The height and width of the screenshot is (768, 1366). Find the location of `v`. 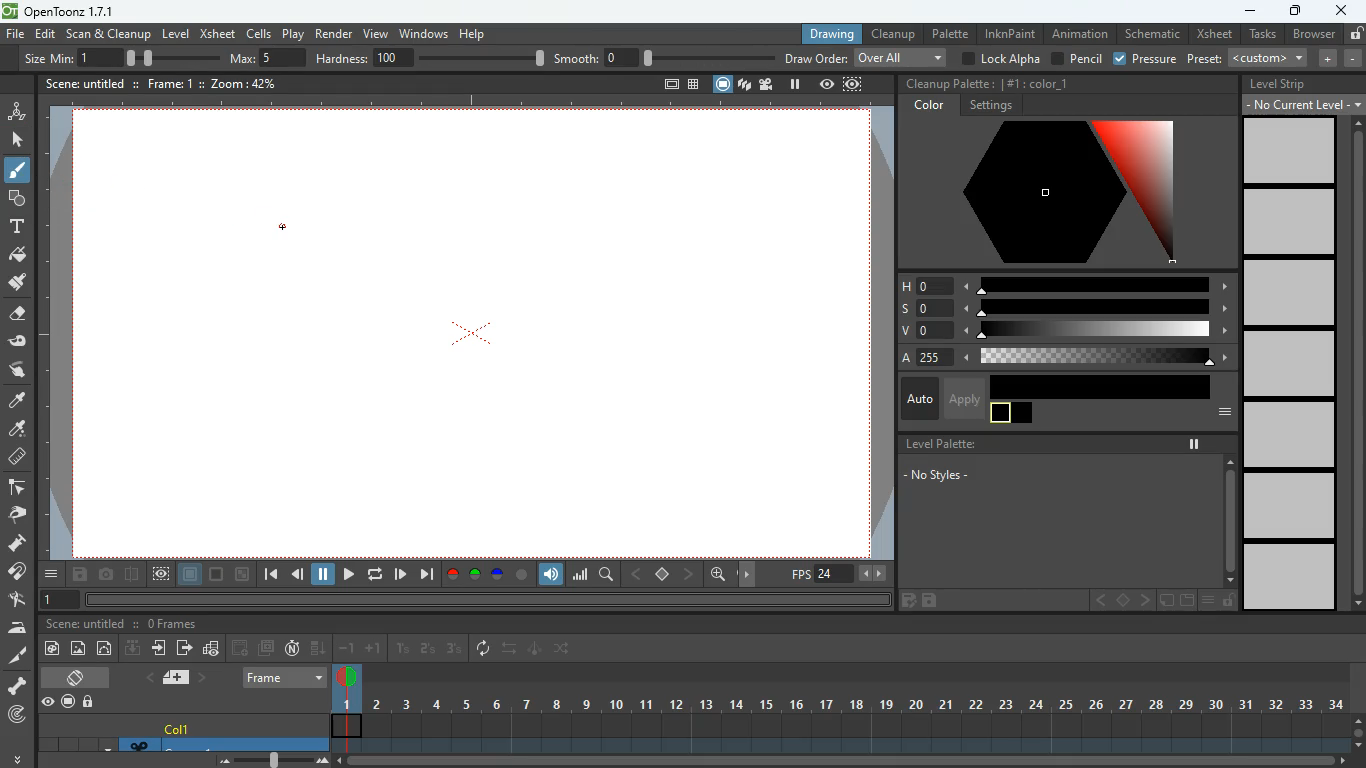

v is located at coordinates (1061, 332).